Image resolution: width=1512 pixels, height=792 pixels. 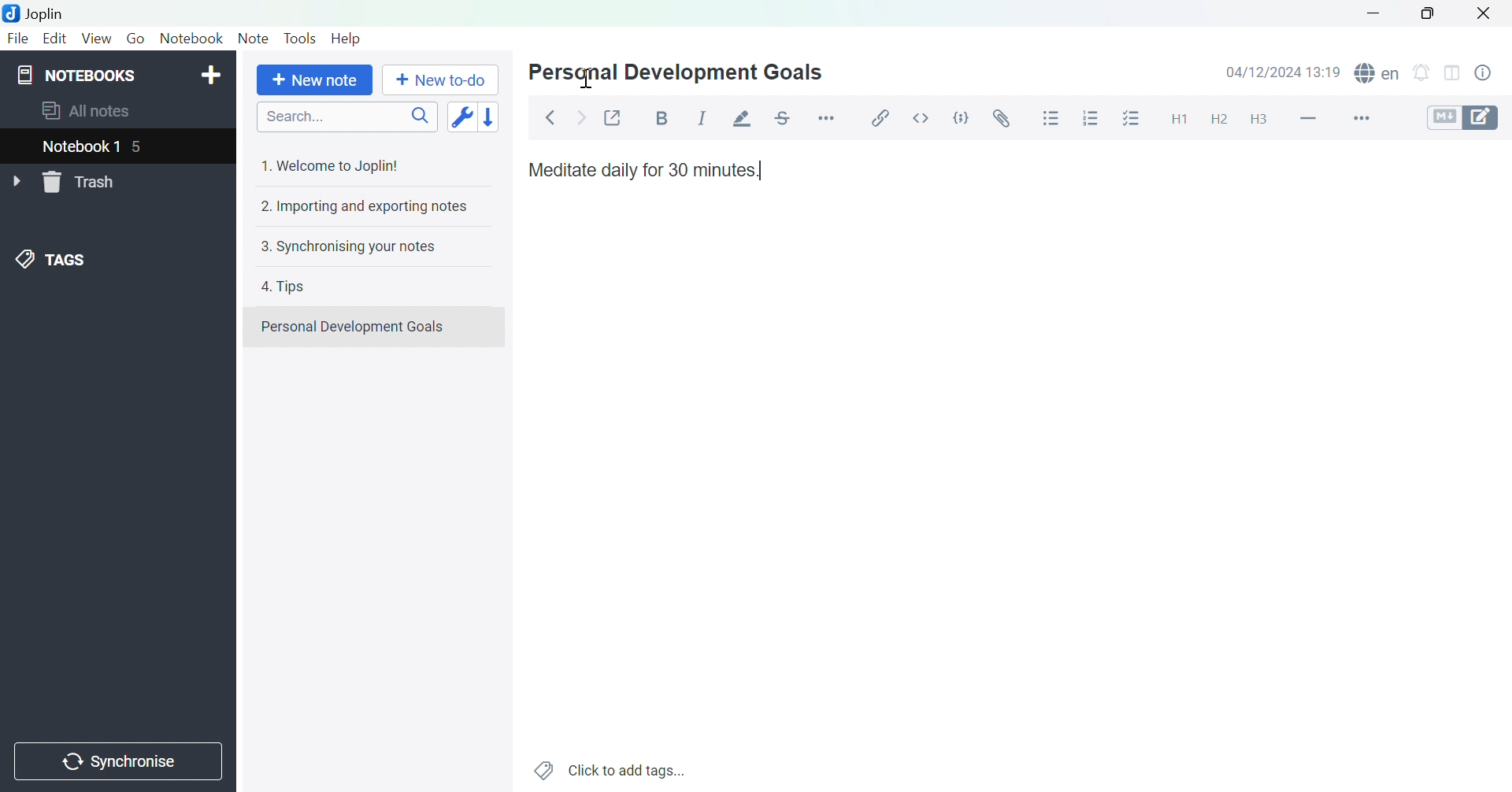 What do you see at coordinates (95, 112) in the screenshot?
I see `aLL NOTES` at bounding box center [95, 112].